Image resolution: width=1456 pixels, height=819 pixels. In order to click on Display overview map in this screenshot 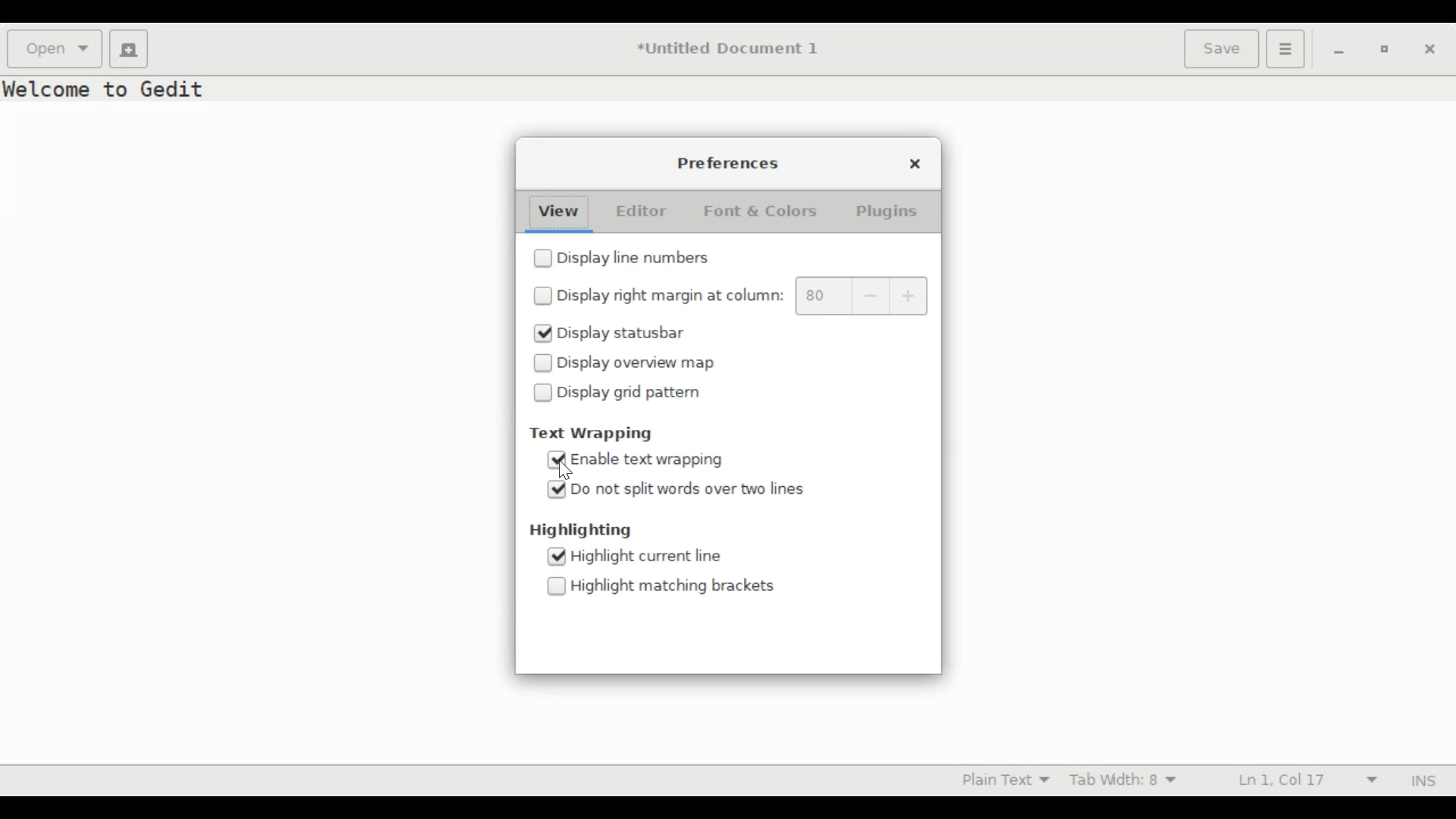, I will do `click(639, 363)`.